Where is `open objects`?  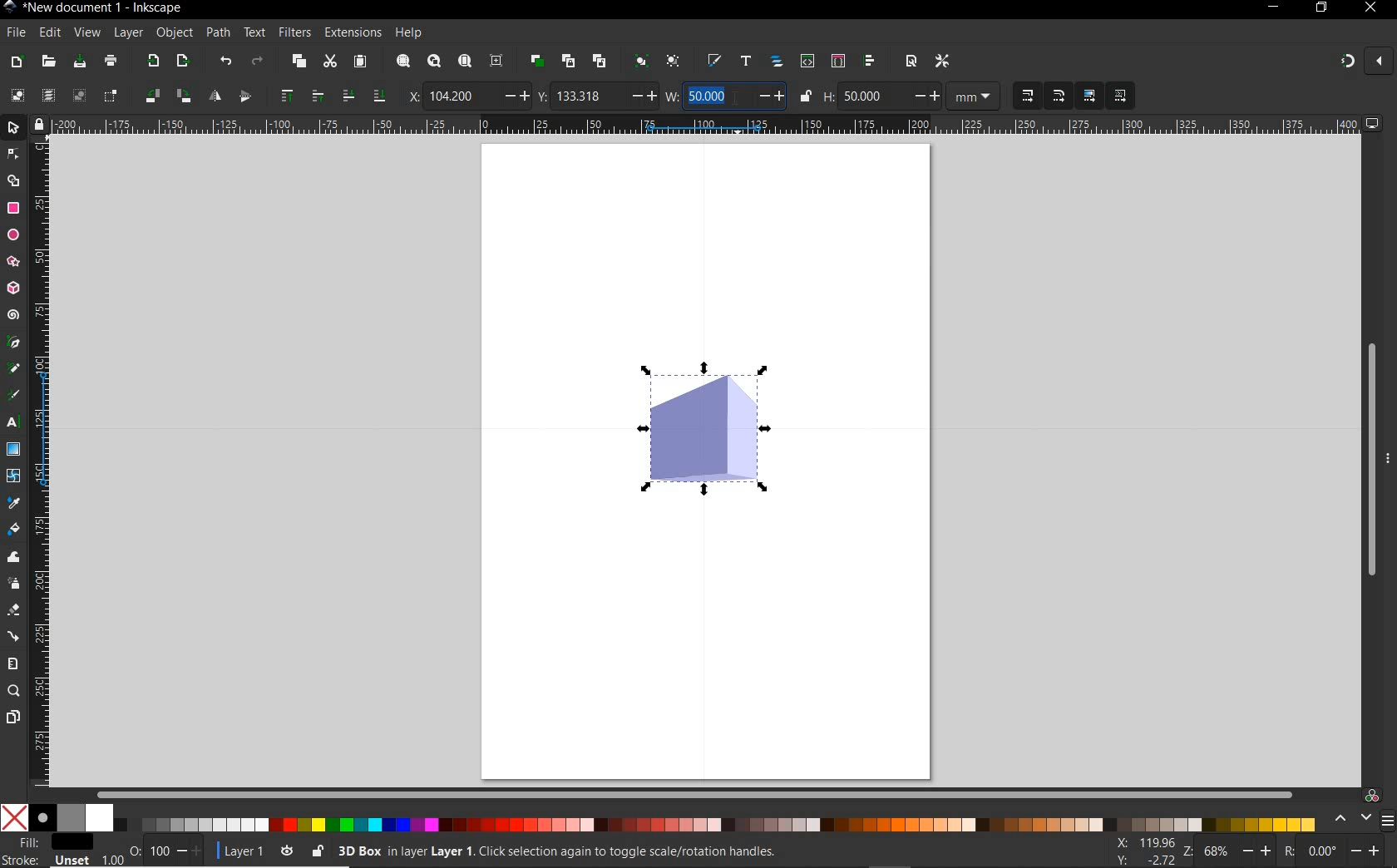
open objects is located at coordinates (777, 60).